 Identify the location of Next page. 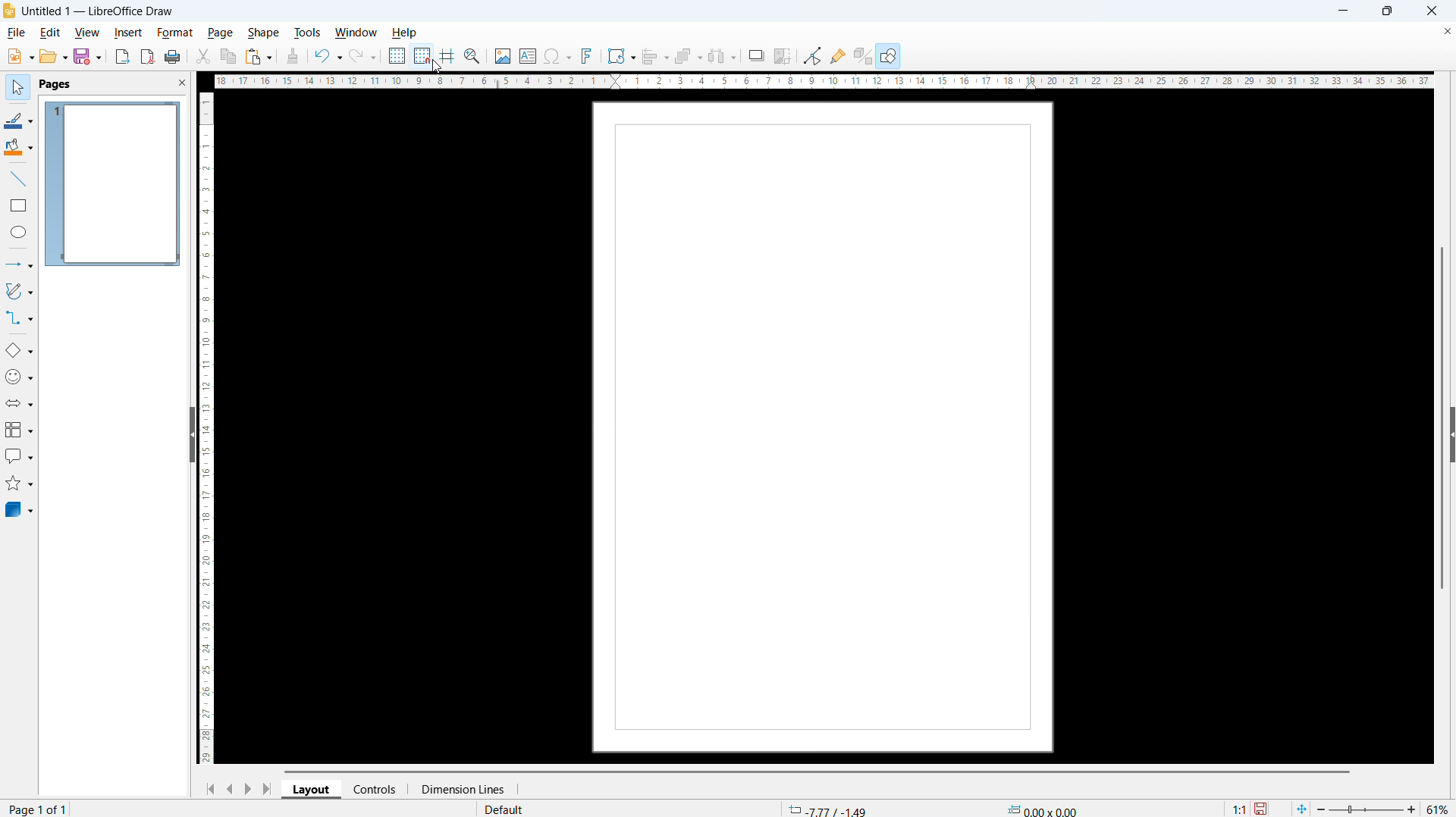
(248, 788).